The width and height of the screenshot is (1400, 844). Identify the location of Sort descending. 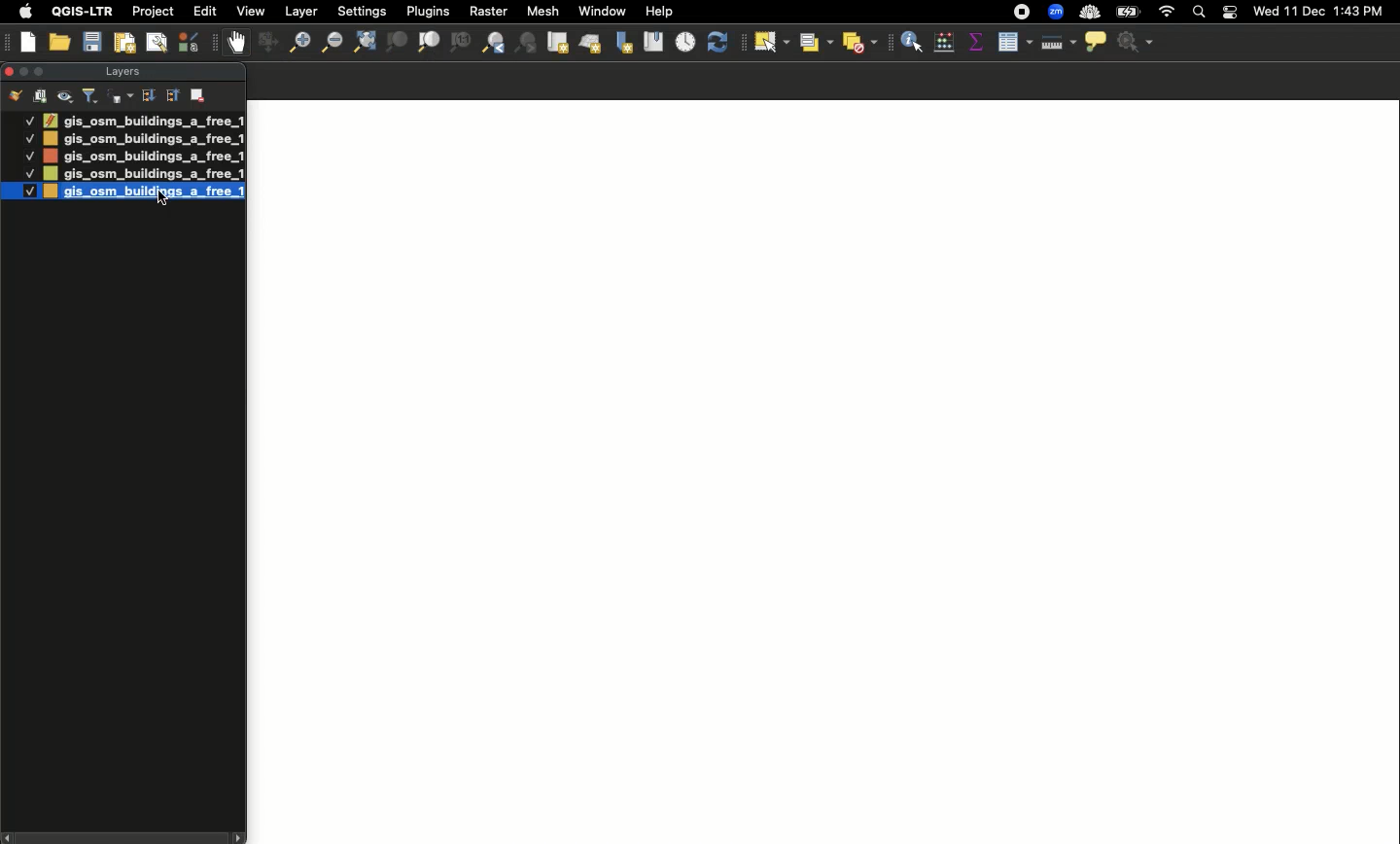
(148, 96).